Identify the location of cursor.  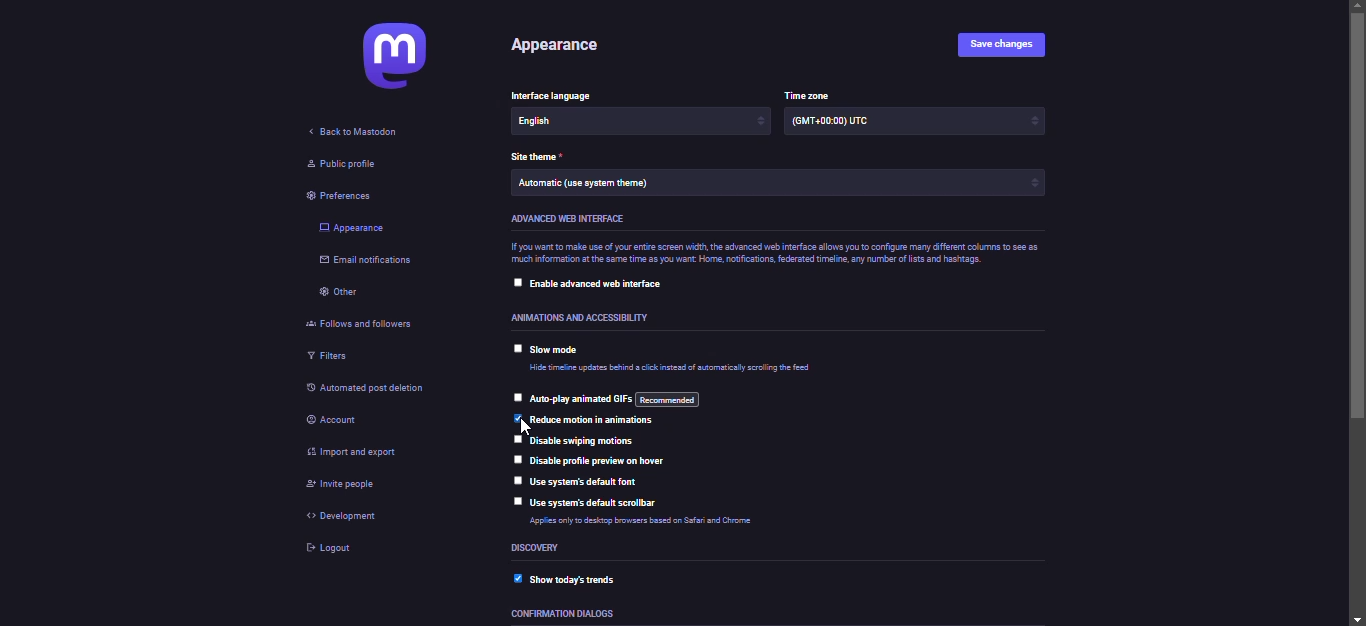
(516, 427).